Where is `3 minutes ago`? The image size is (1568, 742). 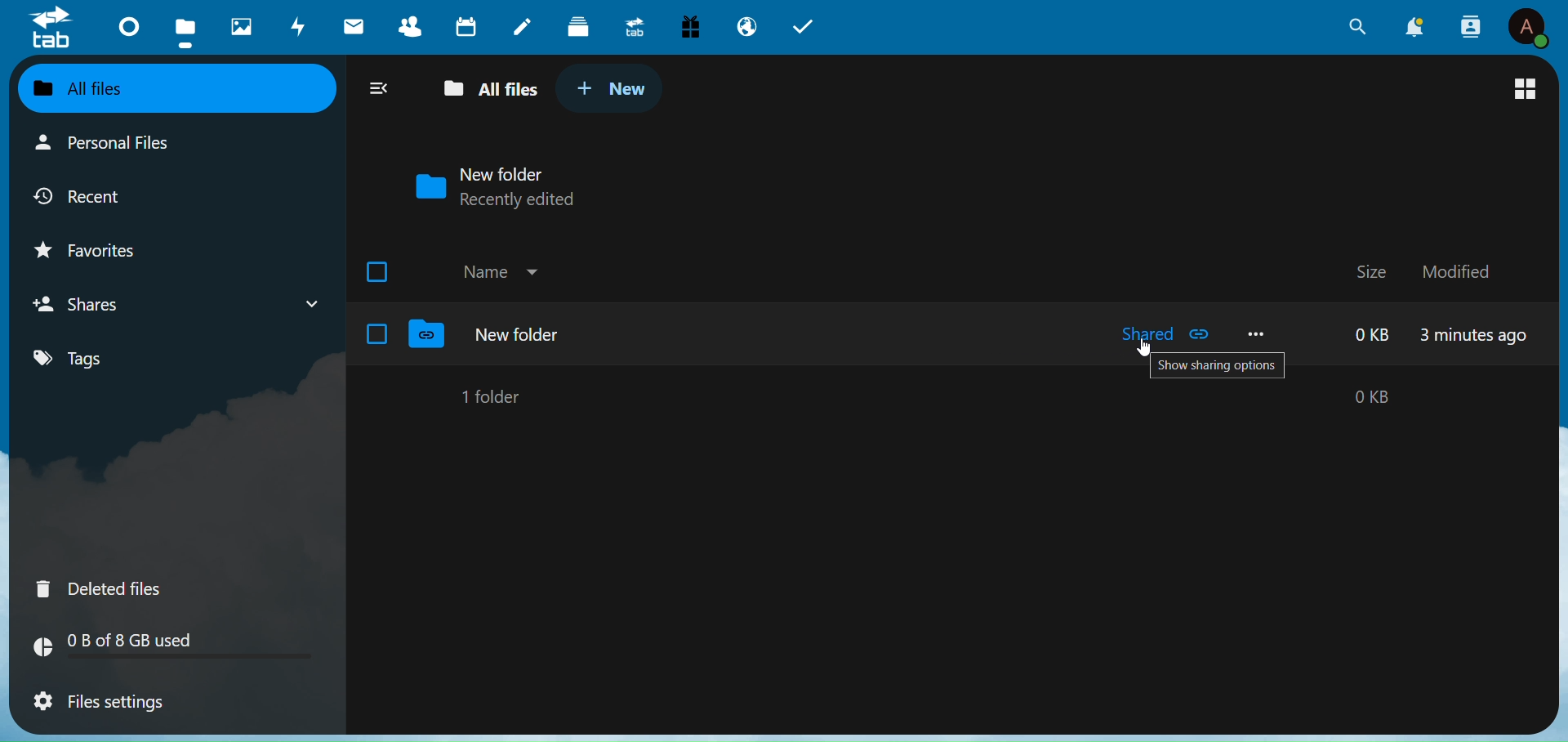 3 minutes ago is located at coordinates (1474, 337).